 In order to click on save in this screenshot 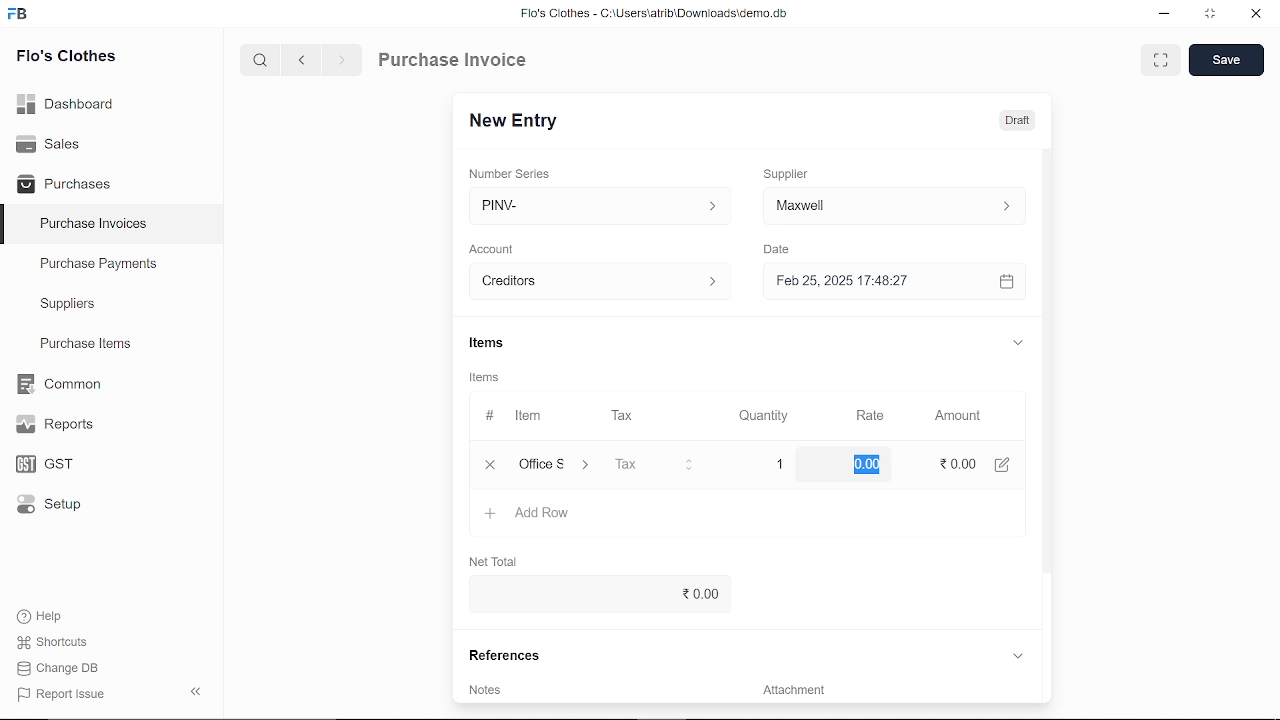, I will do `click(1226, 61)`.